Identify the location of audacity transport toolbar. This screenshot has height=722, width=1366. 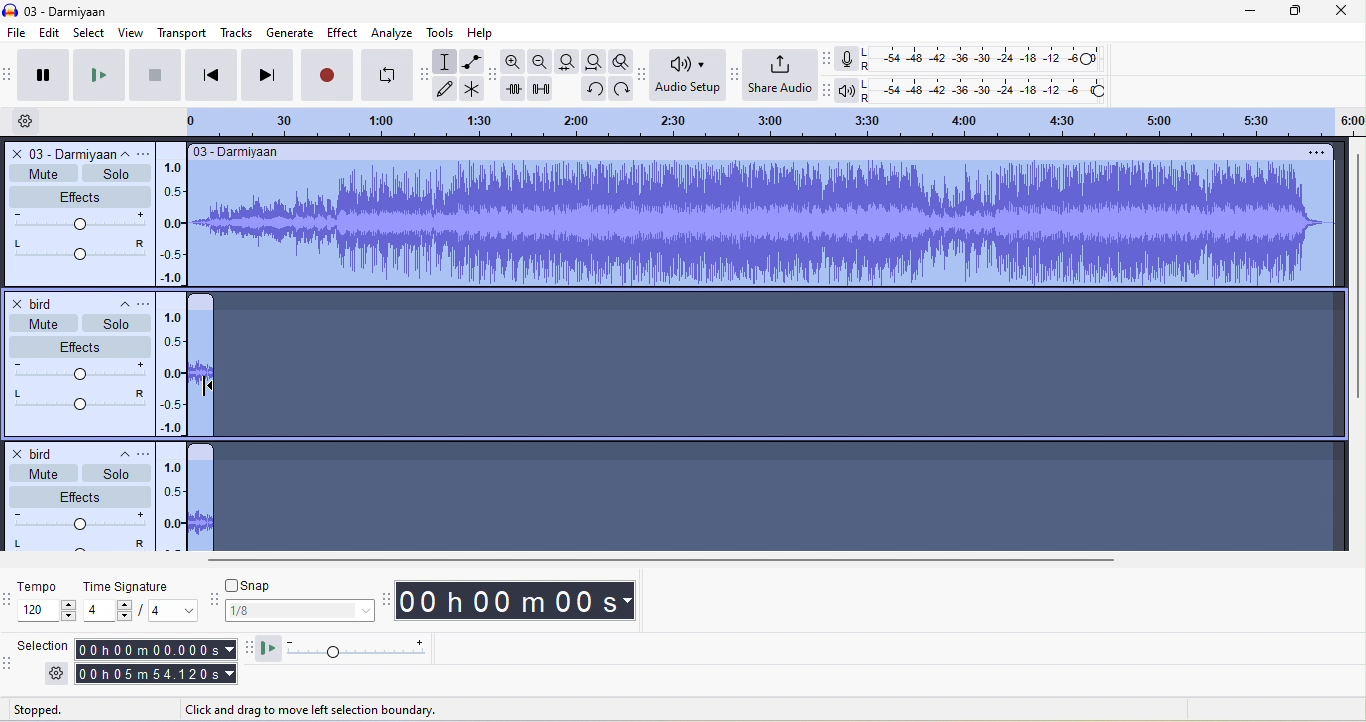
(9, 74).